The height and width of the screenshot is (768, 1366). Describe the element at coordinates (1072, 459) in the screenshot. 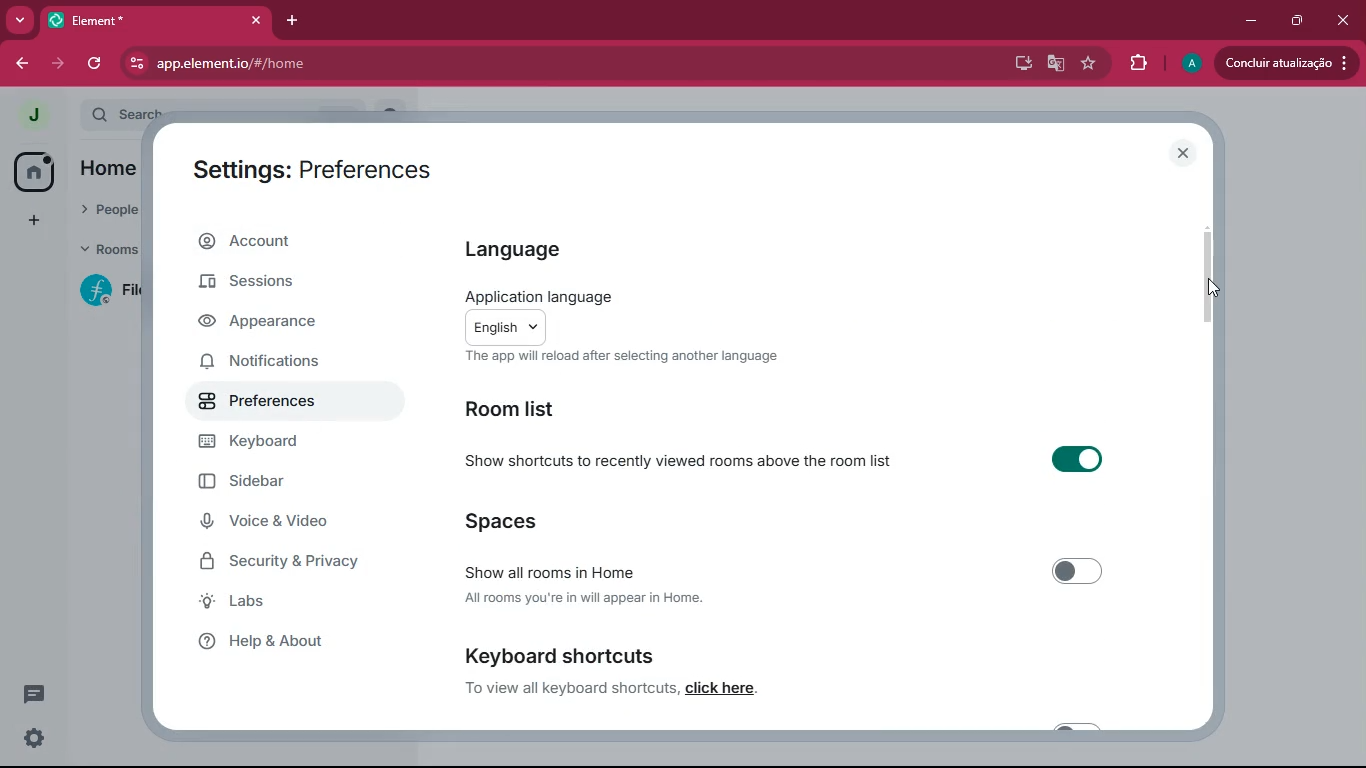

I see `Toggle on` at that location.